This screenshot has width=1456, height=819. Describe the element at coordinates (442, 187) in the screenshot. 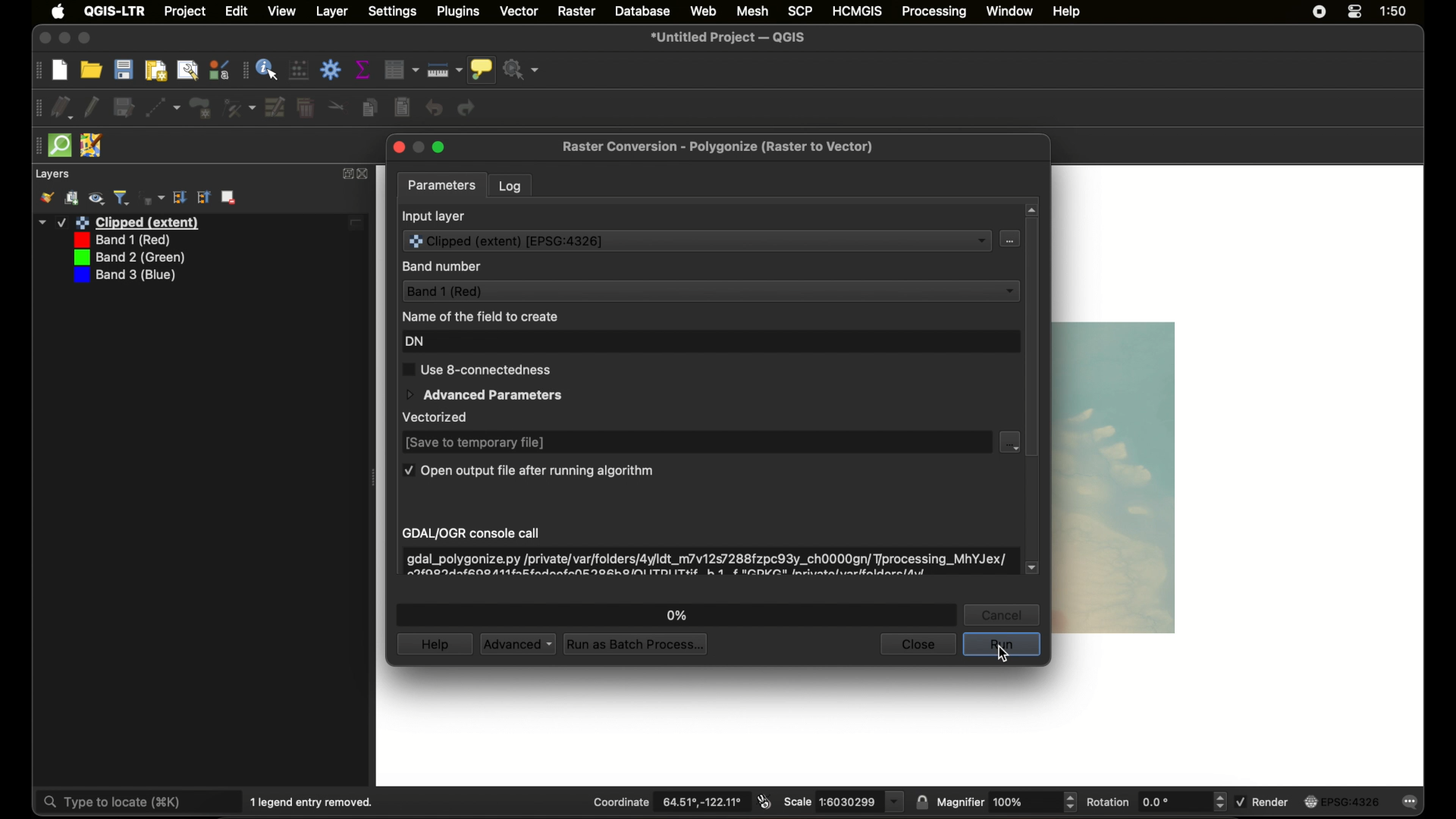

I see `parameters` at that location.